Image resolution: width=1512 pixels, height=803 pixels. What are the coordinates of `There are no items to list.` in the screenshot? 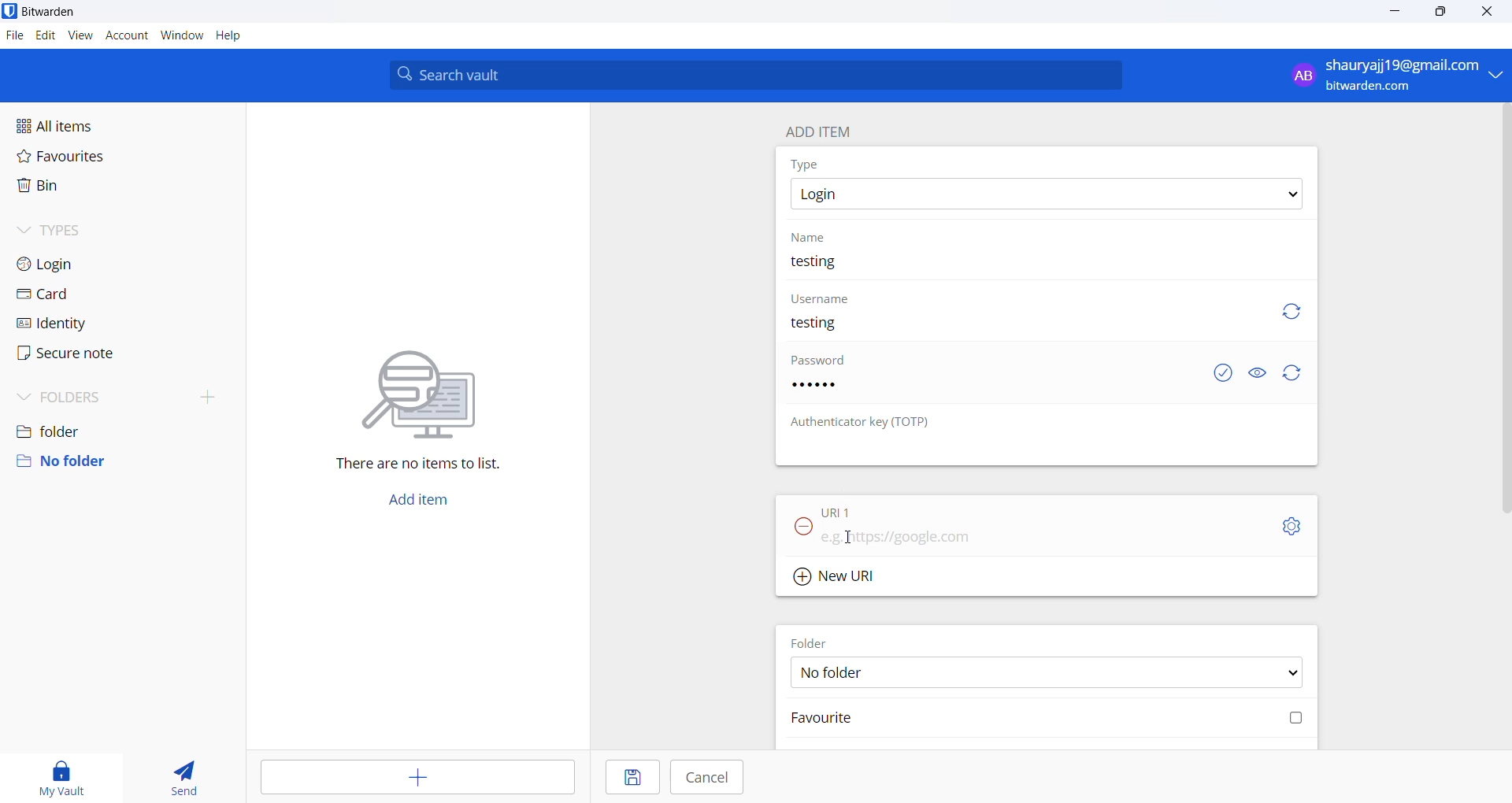 It's located at (417, 413).